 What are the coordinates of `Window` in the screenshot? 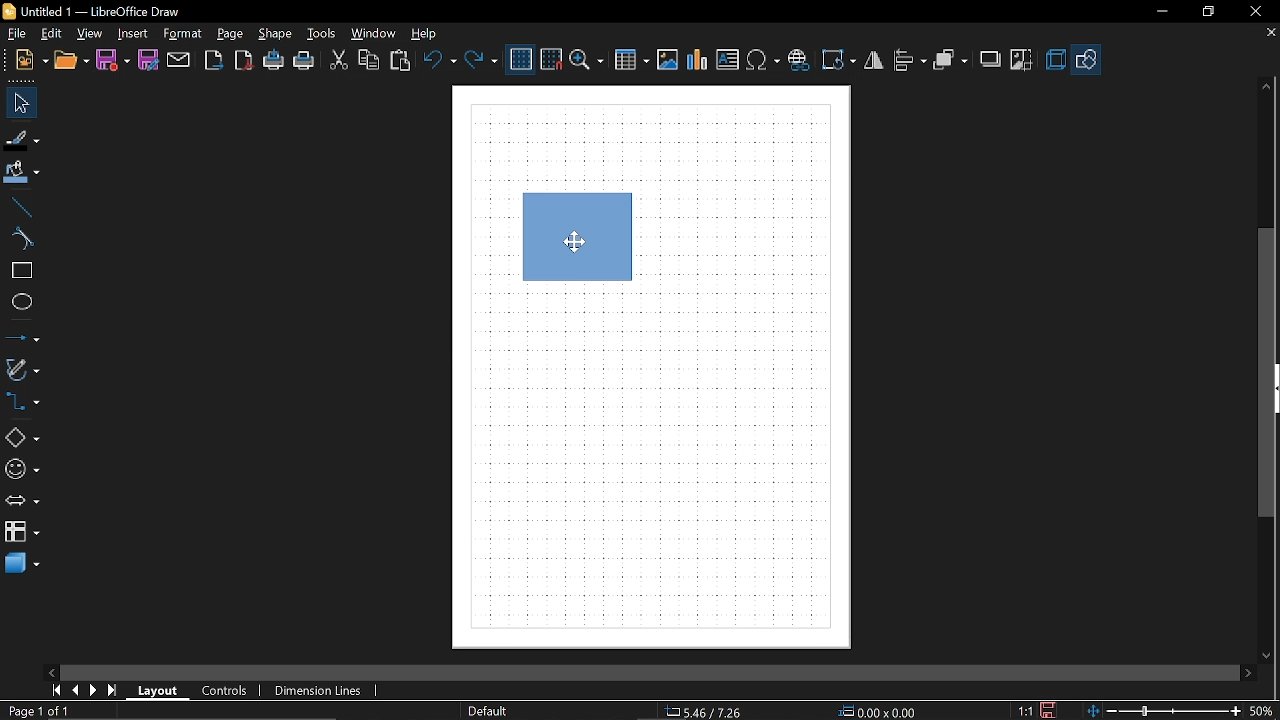 It's located at (374, 34).